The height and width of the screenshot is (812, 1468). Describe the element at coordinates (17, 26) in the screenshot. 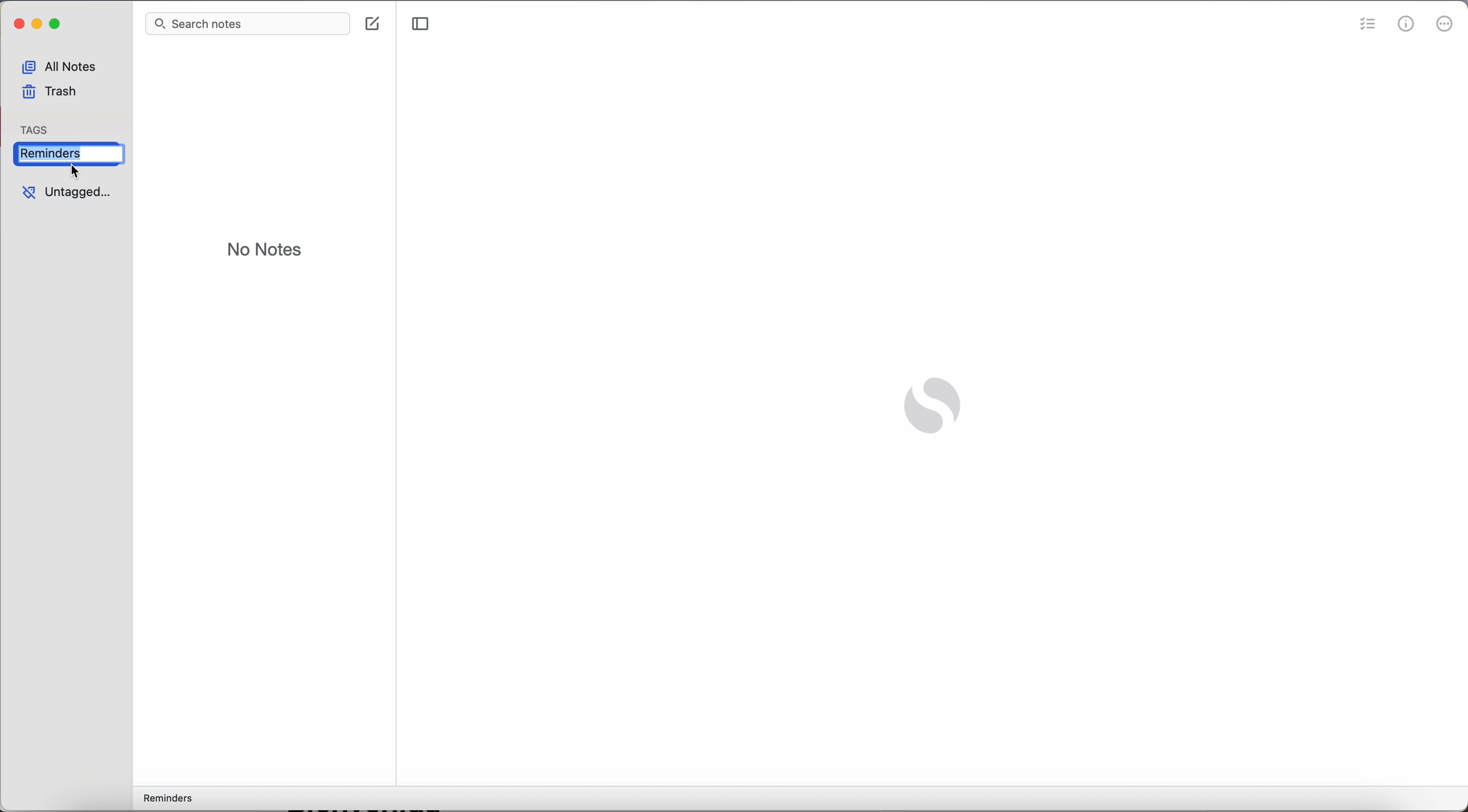

I see `close simplenote` at that location.